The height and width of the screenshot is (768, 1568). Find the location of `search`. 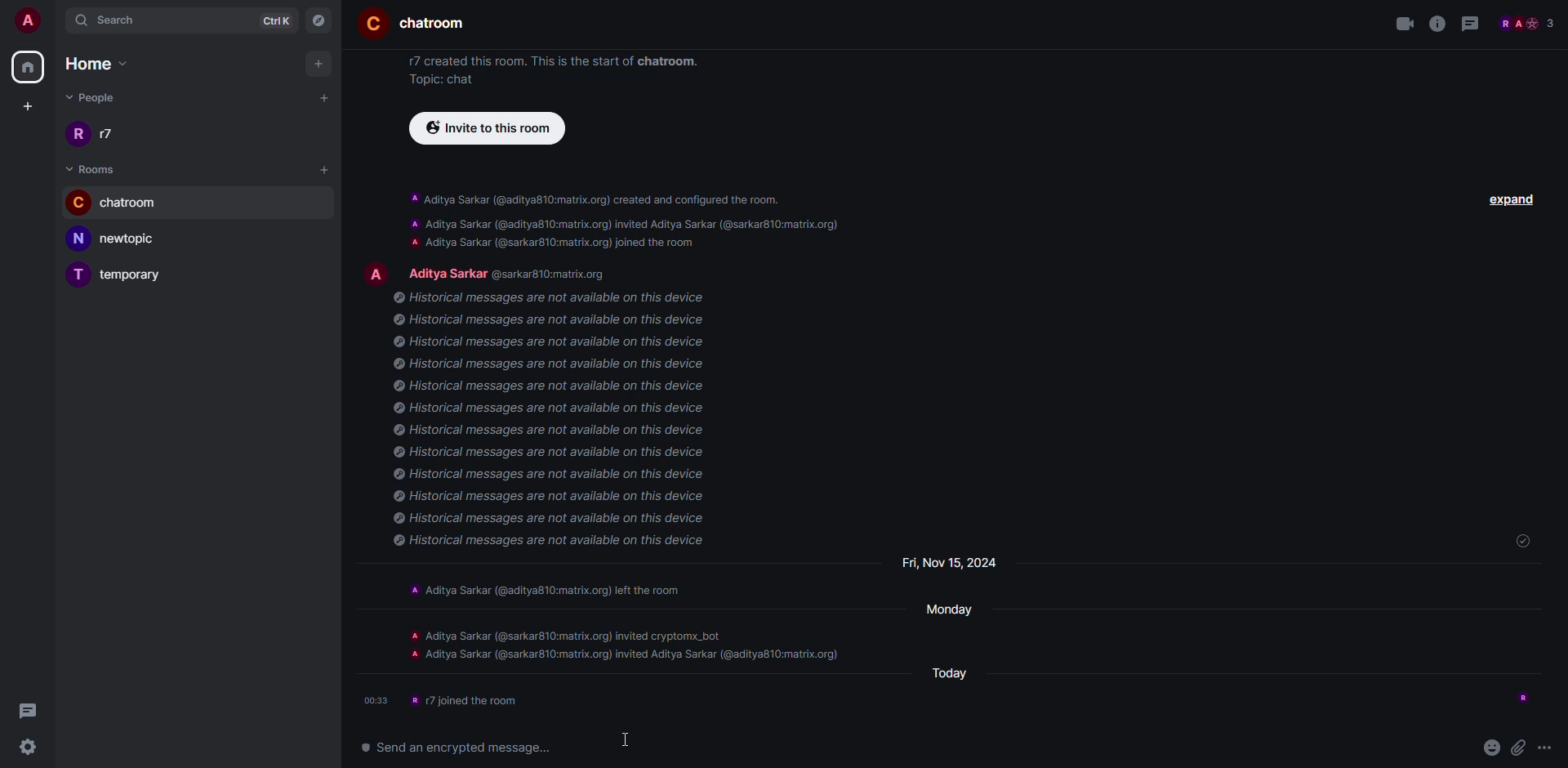

search is located at coordinates (109, 19).